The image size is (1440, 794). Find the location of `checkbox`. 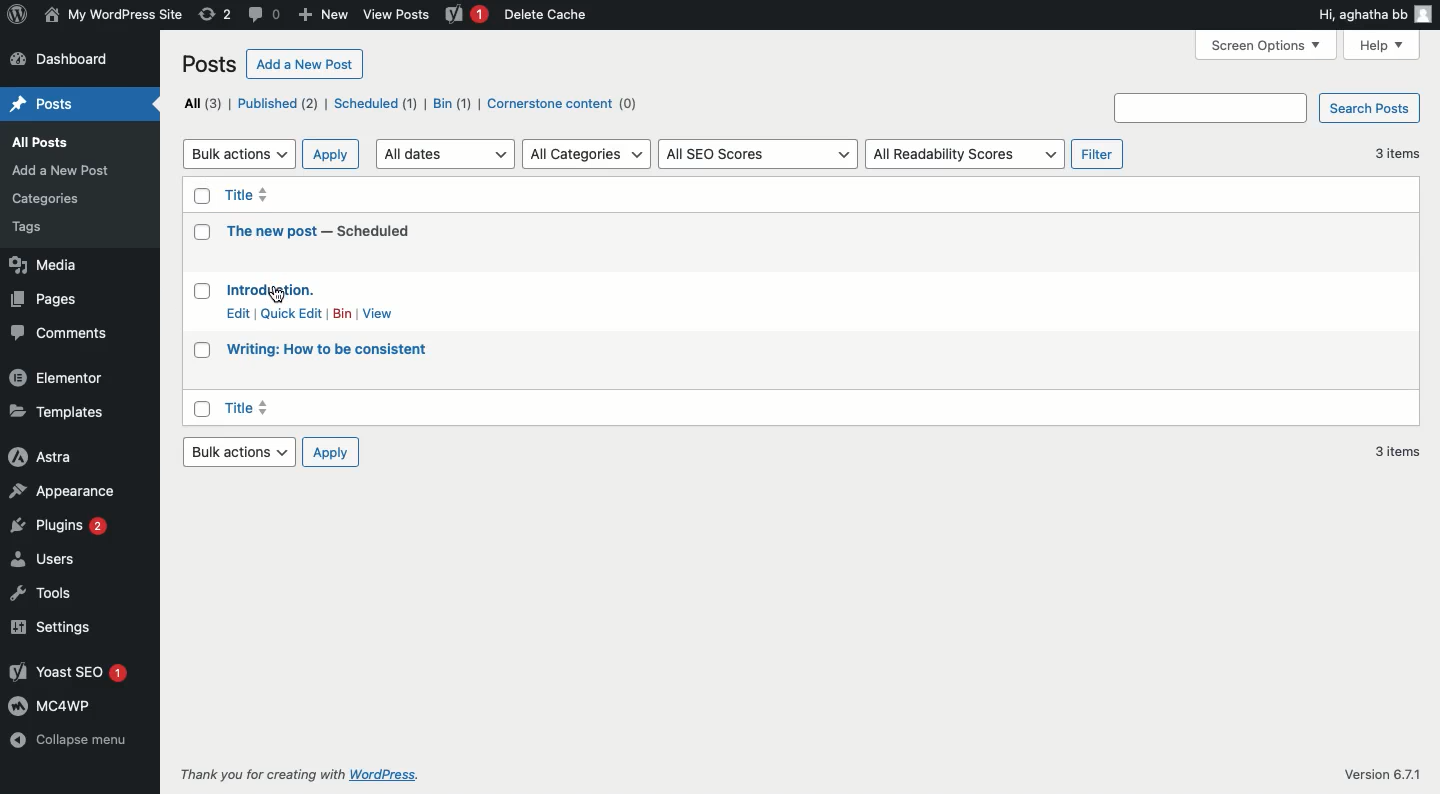

checkbox is located at coordinates (203, 231).